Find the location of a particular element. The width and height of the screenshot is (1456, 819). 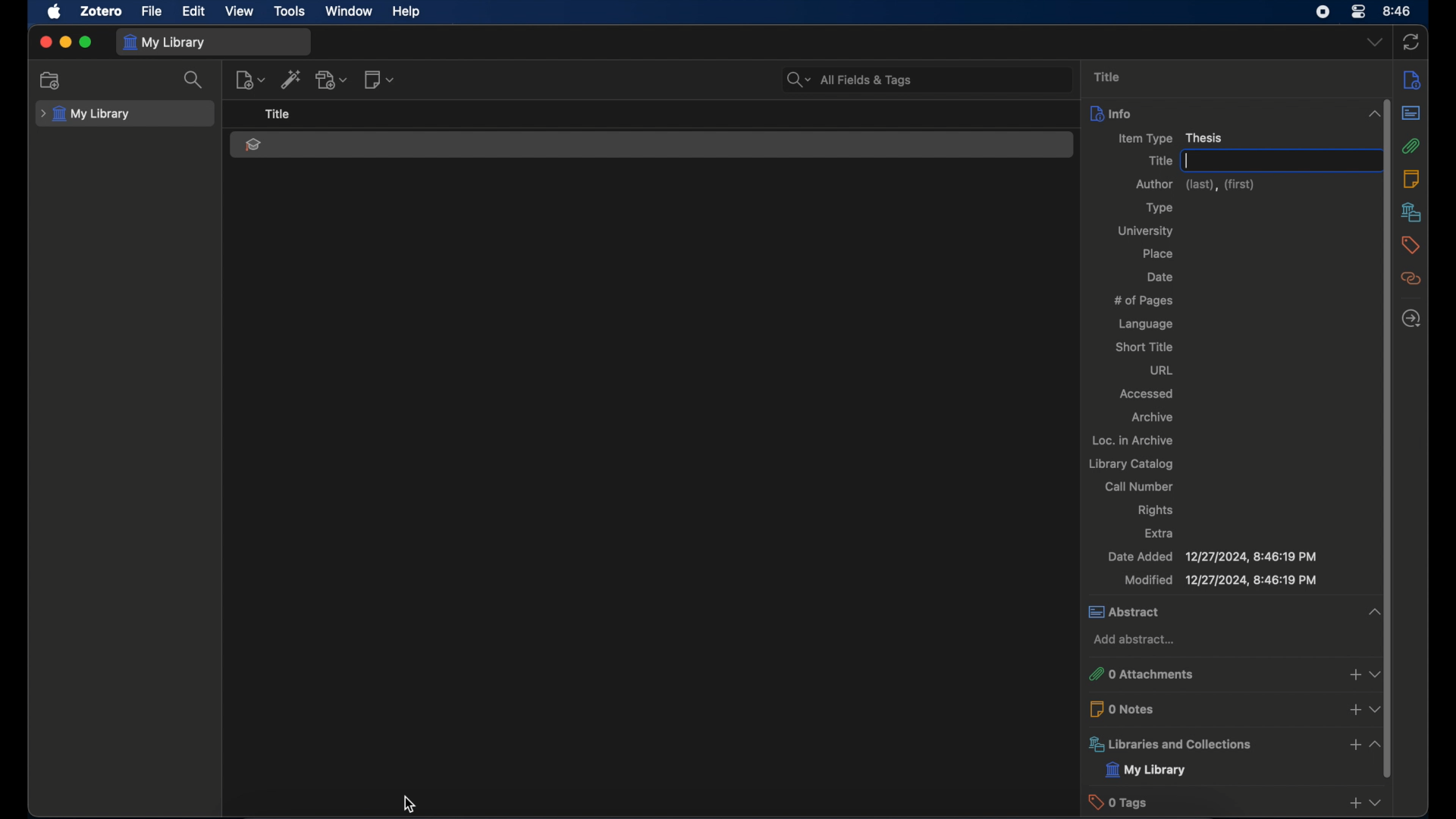

new note is located at coordinates (379, 80).